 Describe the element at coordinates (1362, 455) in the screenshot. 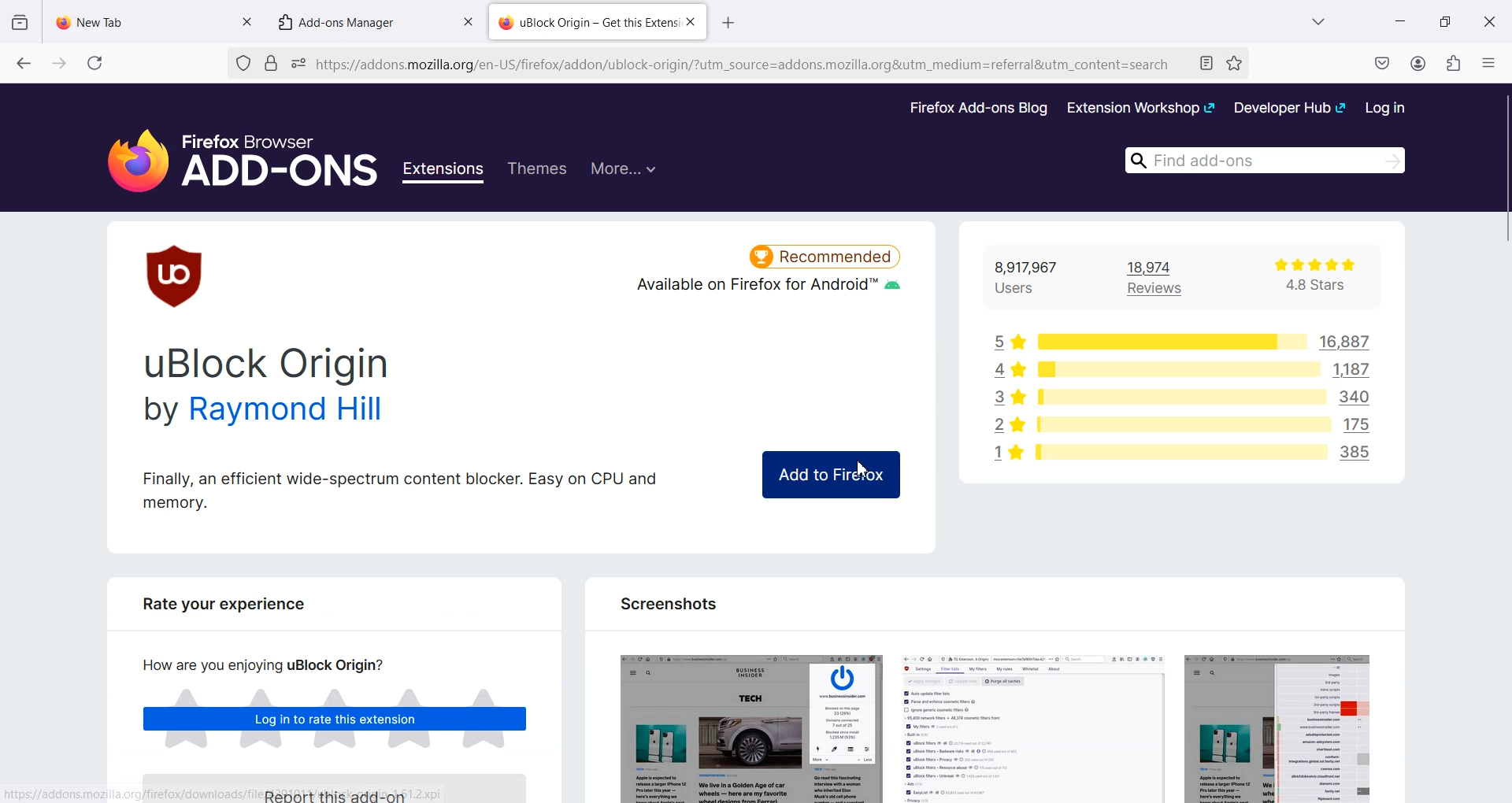

I see `385 users` at that location.